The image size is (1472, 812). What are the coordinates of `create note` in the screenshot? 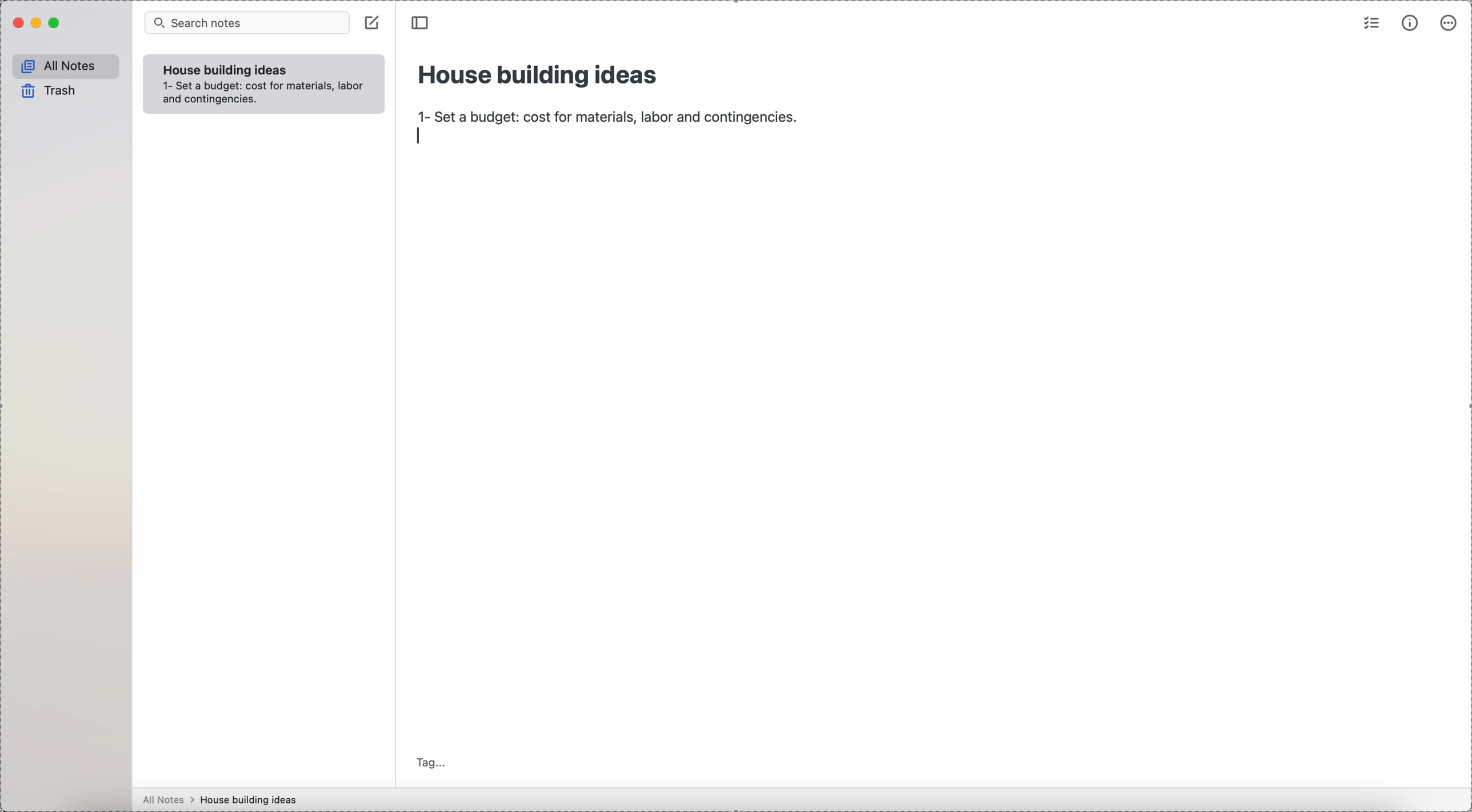 It's located at (374, 26).